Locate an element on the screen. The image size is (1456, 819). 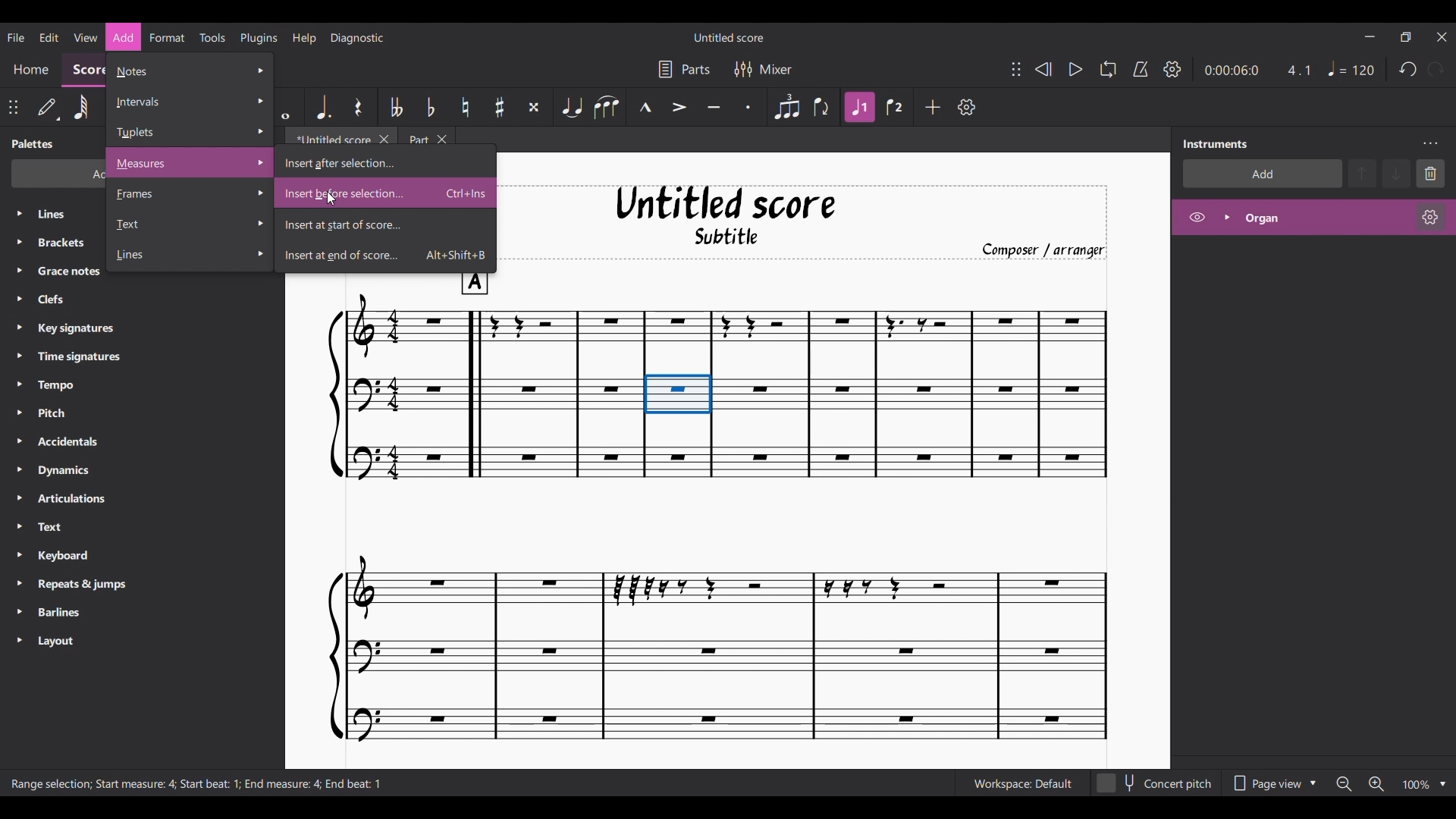
Title, sub-title, and composer name is located at coordinates (812, 219).